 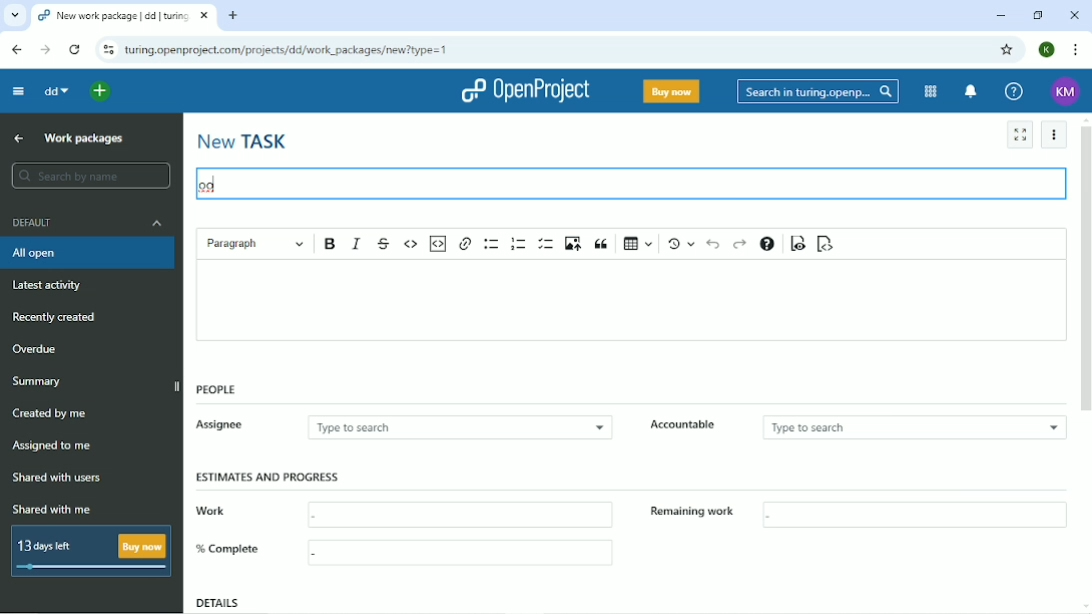 What do you see at coordinates (37, 382) in the screenshot?
I see `Summary` at bounding box center [37, 382].